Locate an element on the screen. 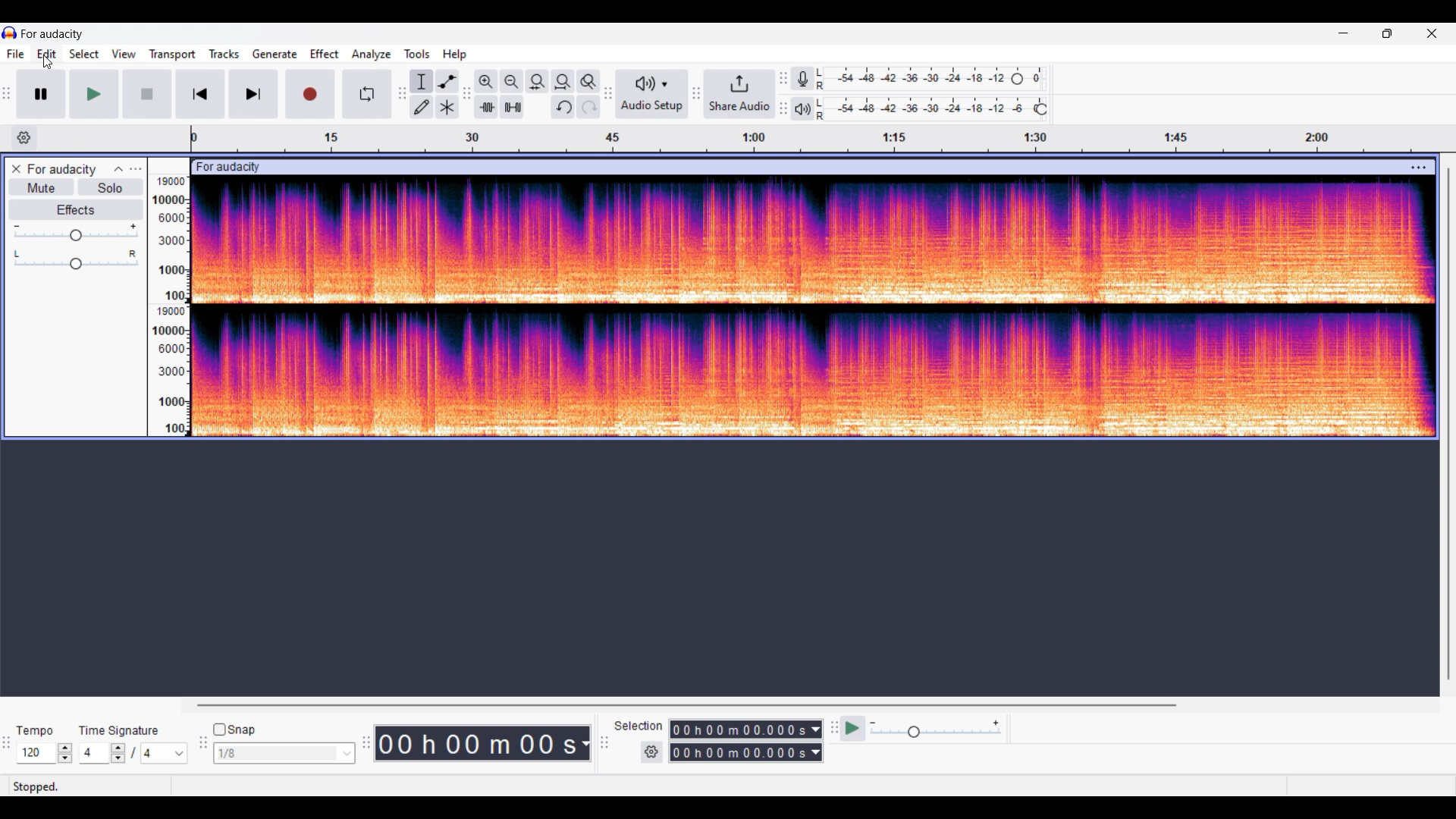 The image size is (1456, 819). Timeline options is located at coordinates (25, 138).